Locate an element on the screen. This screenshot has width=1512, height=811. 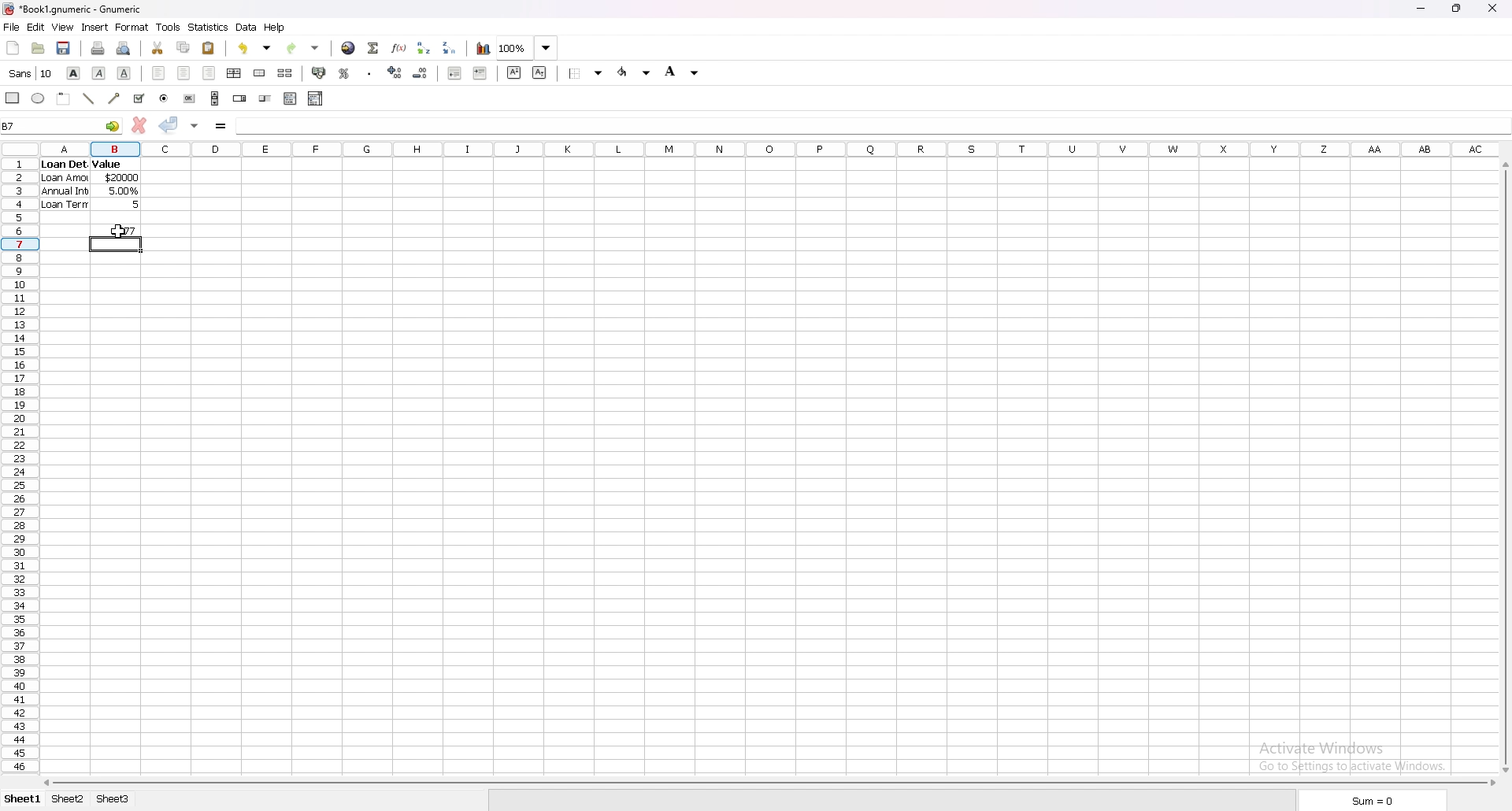
statistics is located at coordinates (209, 27).